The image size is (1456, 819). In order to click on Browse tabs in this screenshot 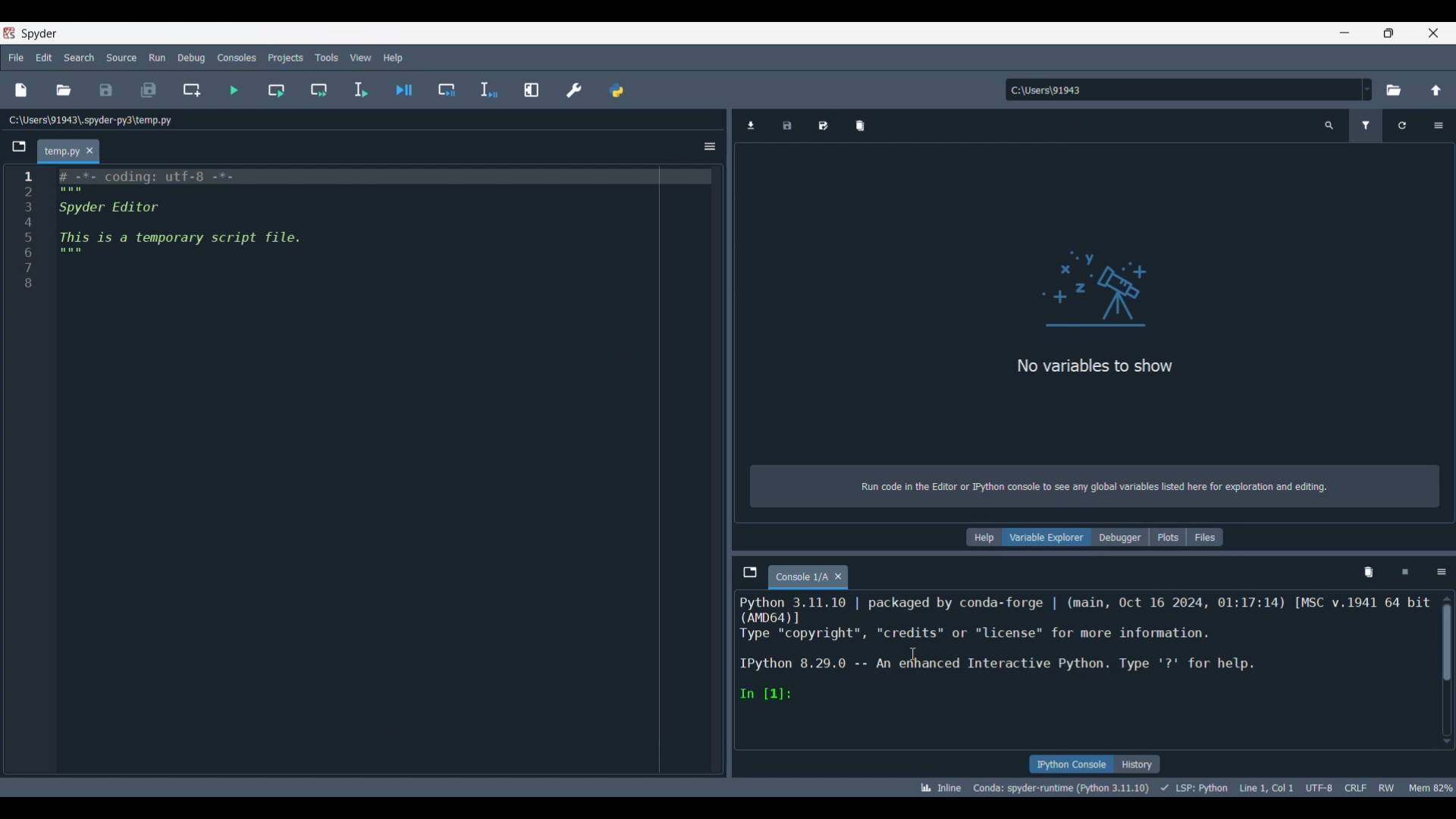, I will do `click(750, 572)`.